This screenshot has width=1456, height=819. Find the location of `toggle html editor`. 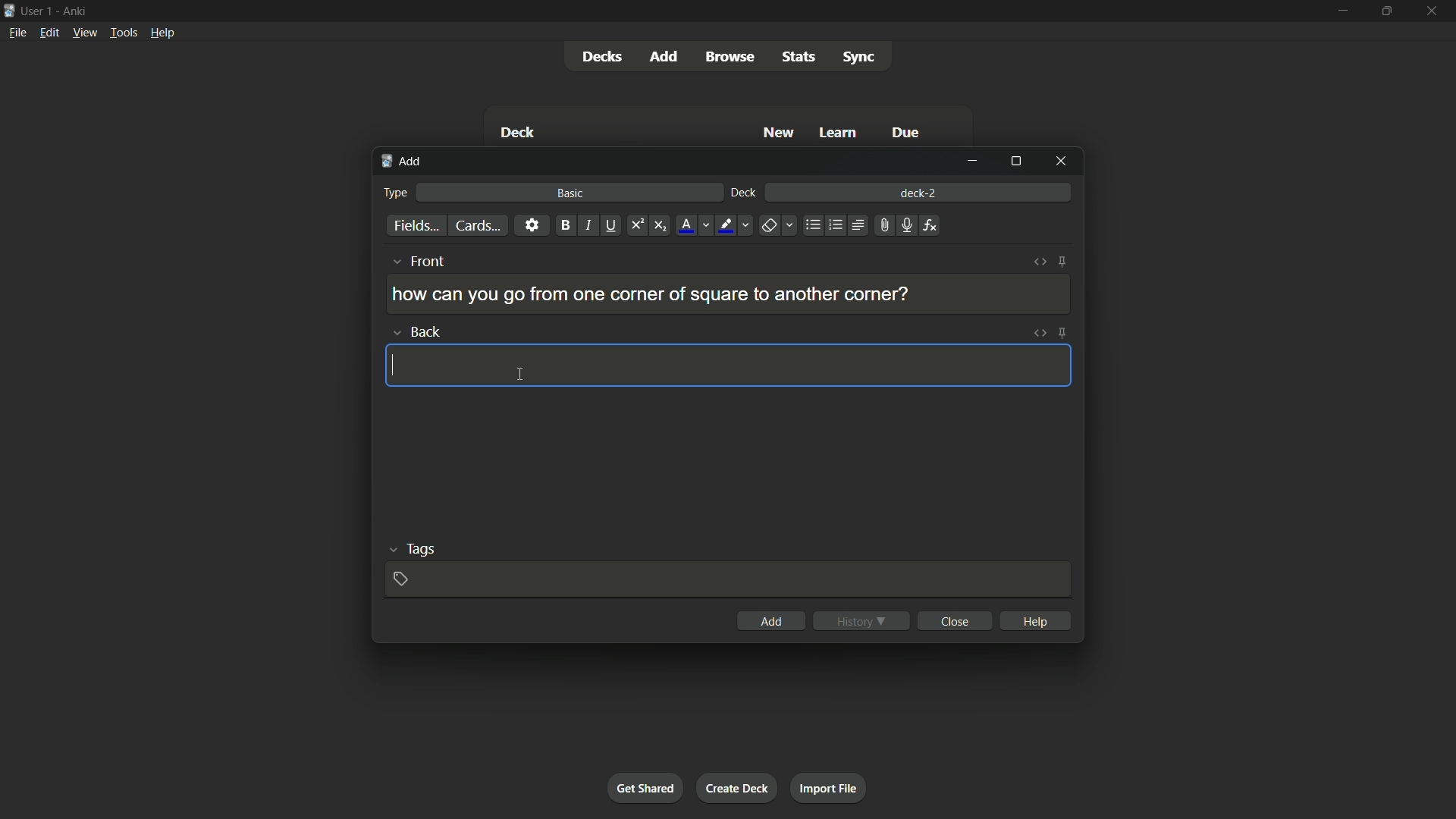

toggle html editor is located at coordinates (1043, 260).